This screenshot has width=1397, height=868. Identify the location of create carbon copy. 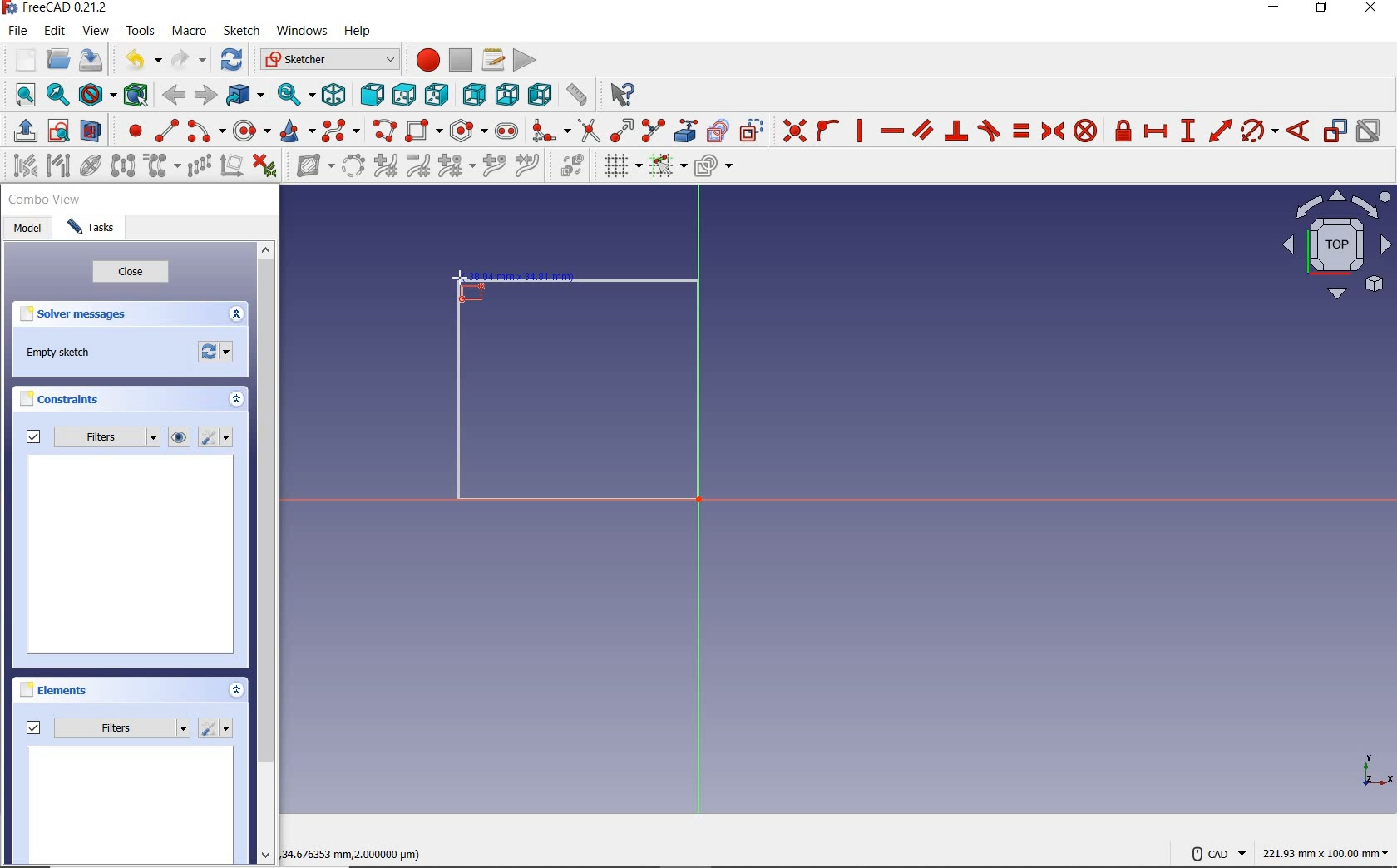
(718, 131).